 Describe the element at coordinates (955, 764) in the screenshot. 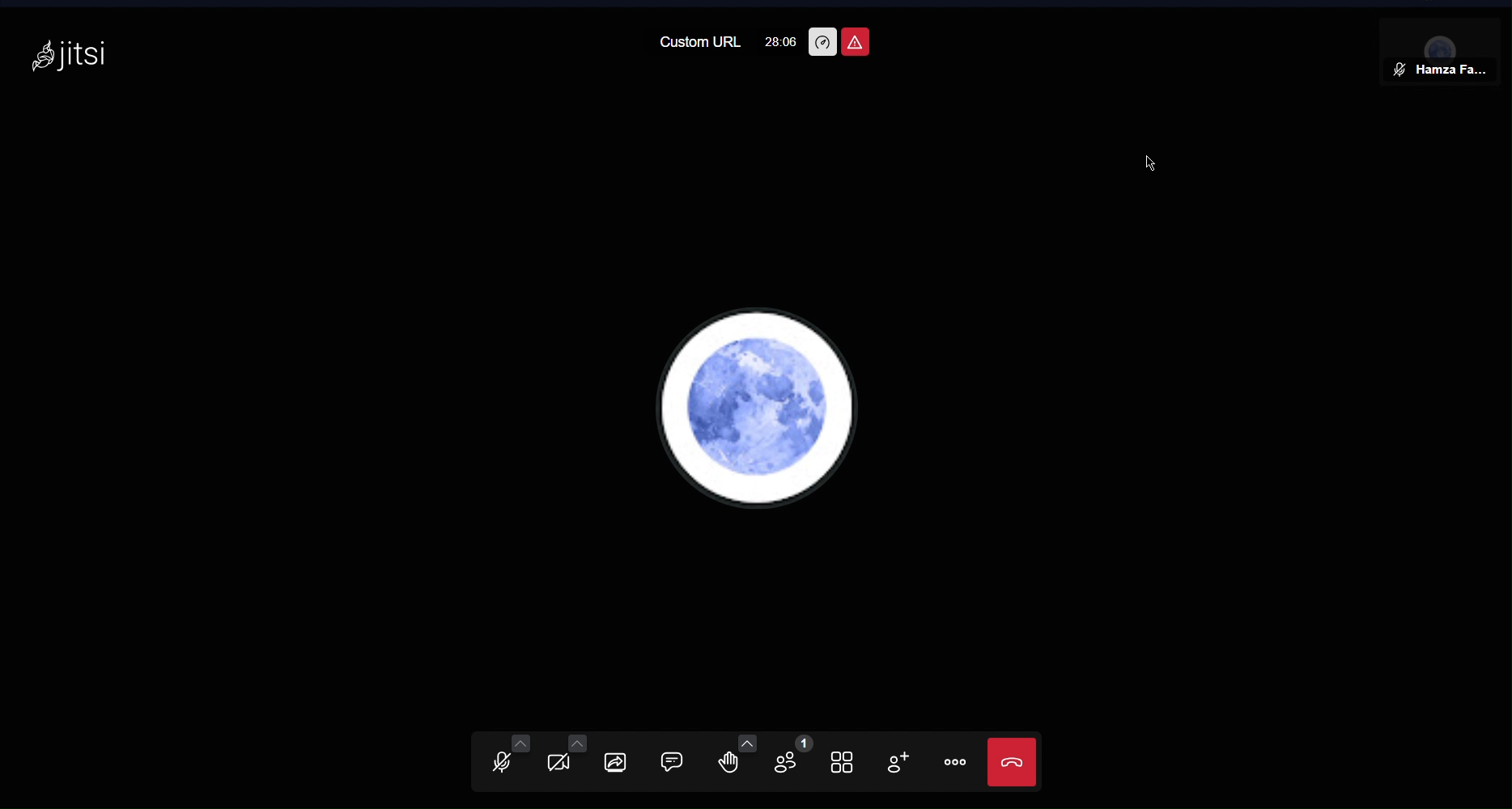

I see `More Options` at that location.